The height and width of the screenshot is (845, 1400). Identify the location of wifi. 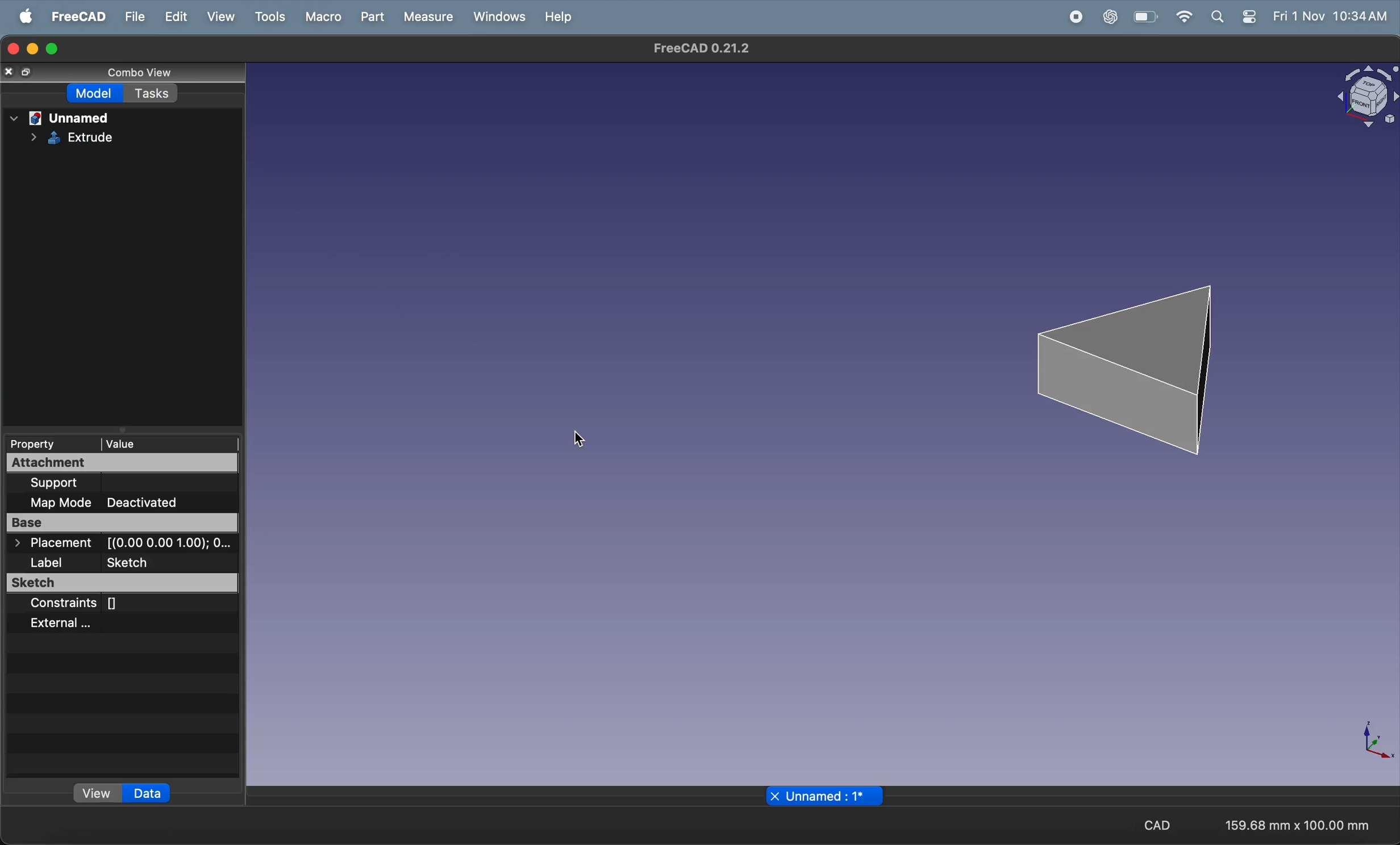
(1184, 16).